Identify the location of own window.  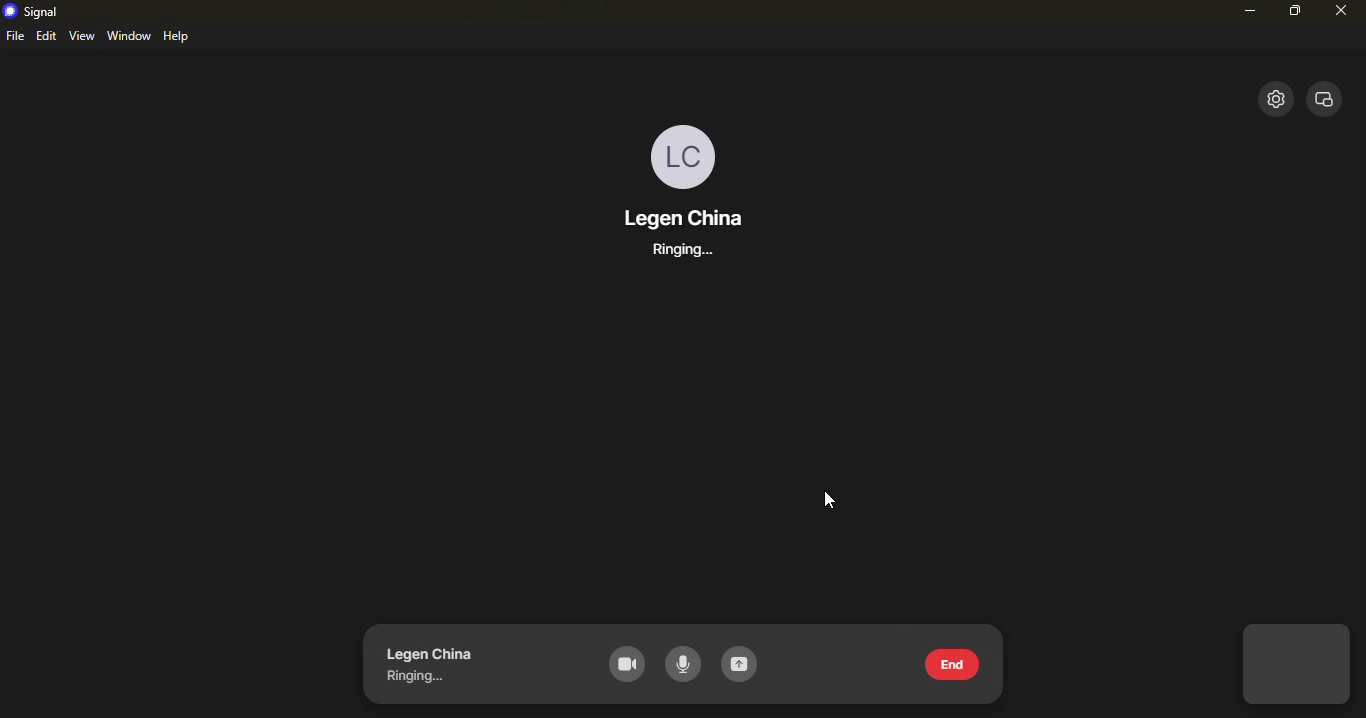
(1296, 666).